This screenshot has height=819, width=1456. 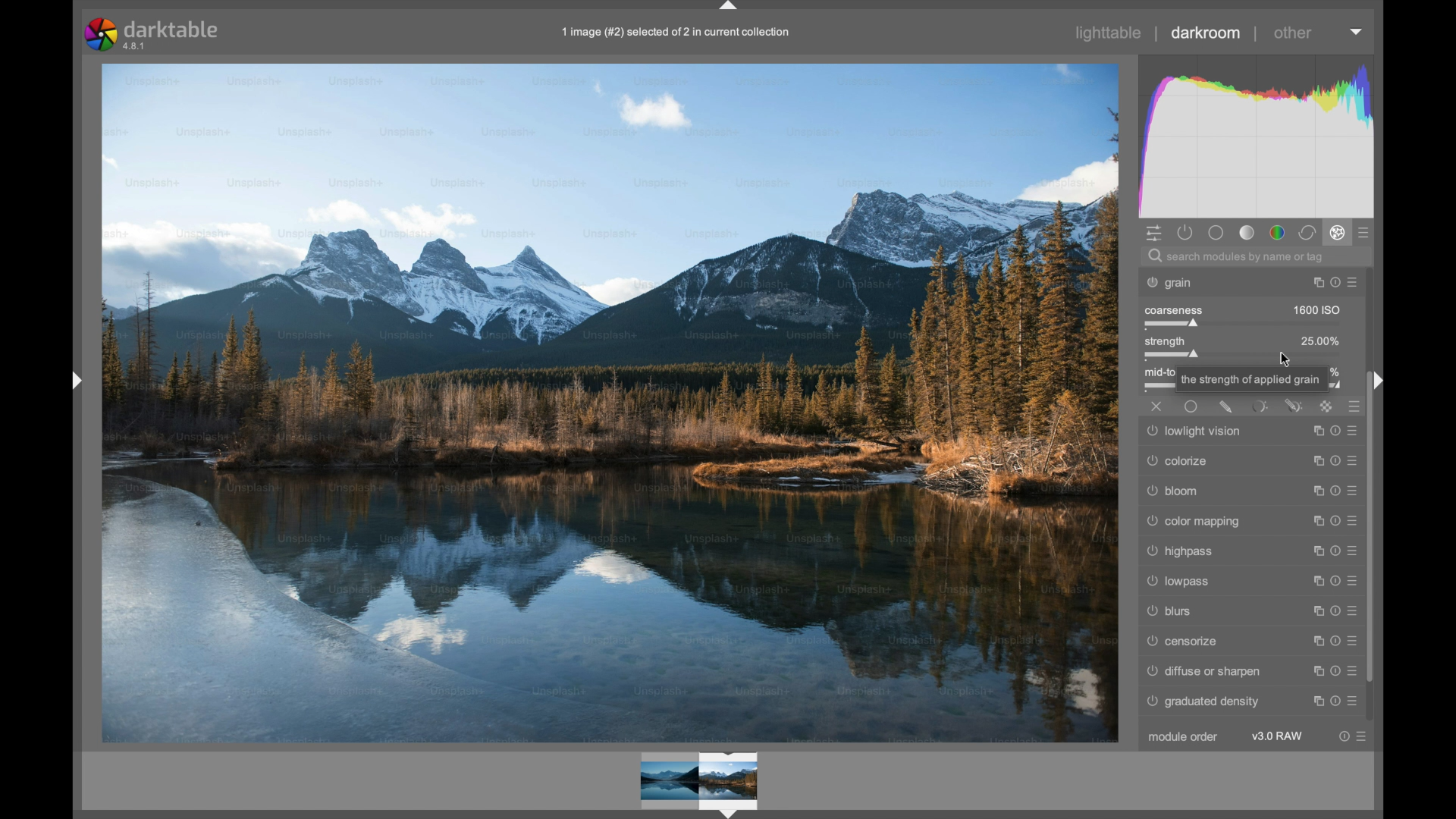 I want to click on reset parameters, so click(x=1335, y=611).